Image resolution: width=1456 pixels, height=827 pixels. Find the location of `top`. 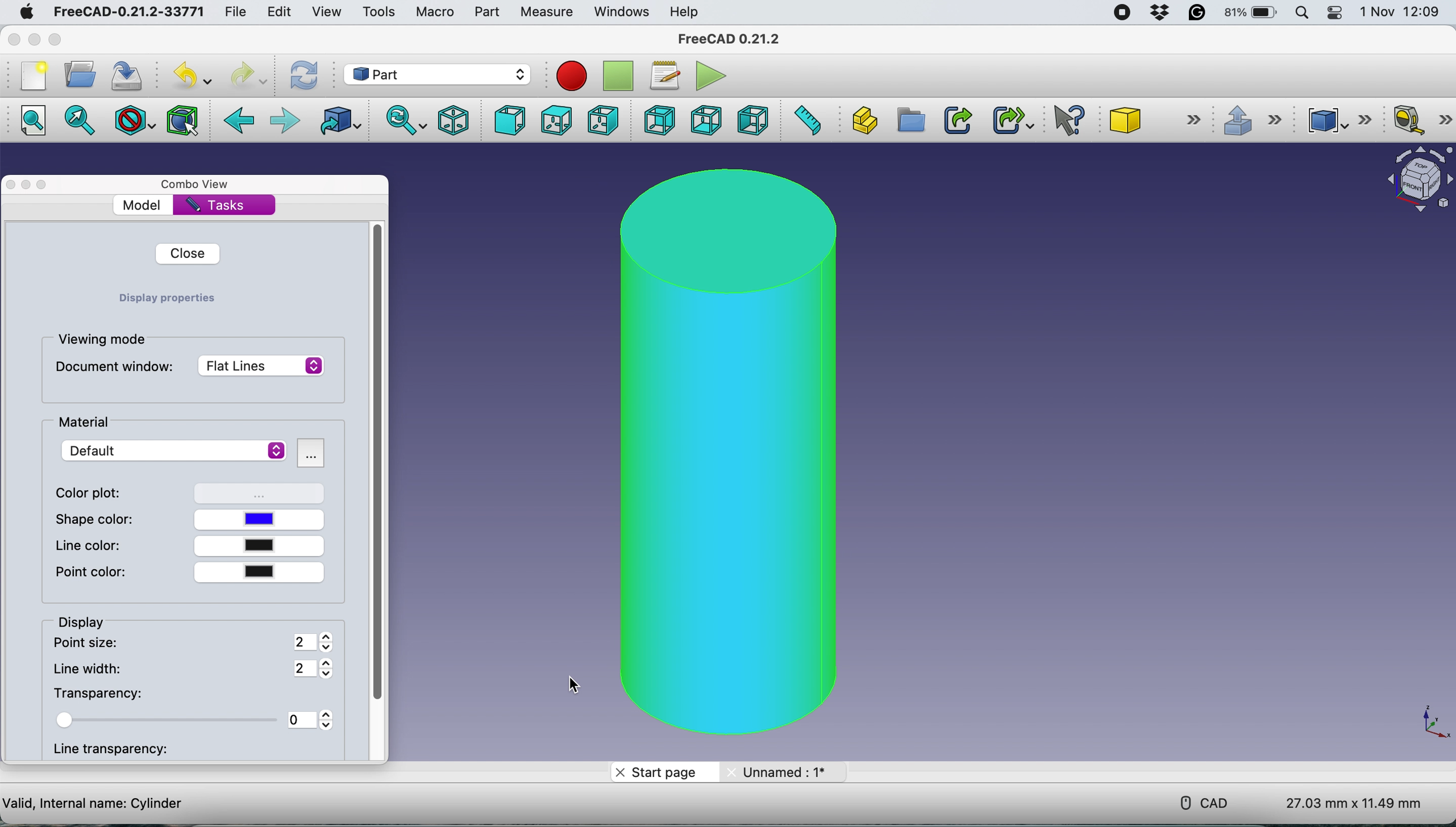

top is located at coordinates (554, 120).